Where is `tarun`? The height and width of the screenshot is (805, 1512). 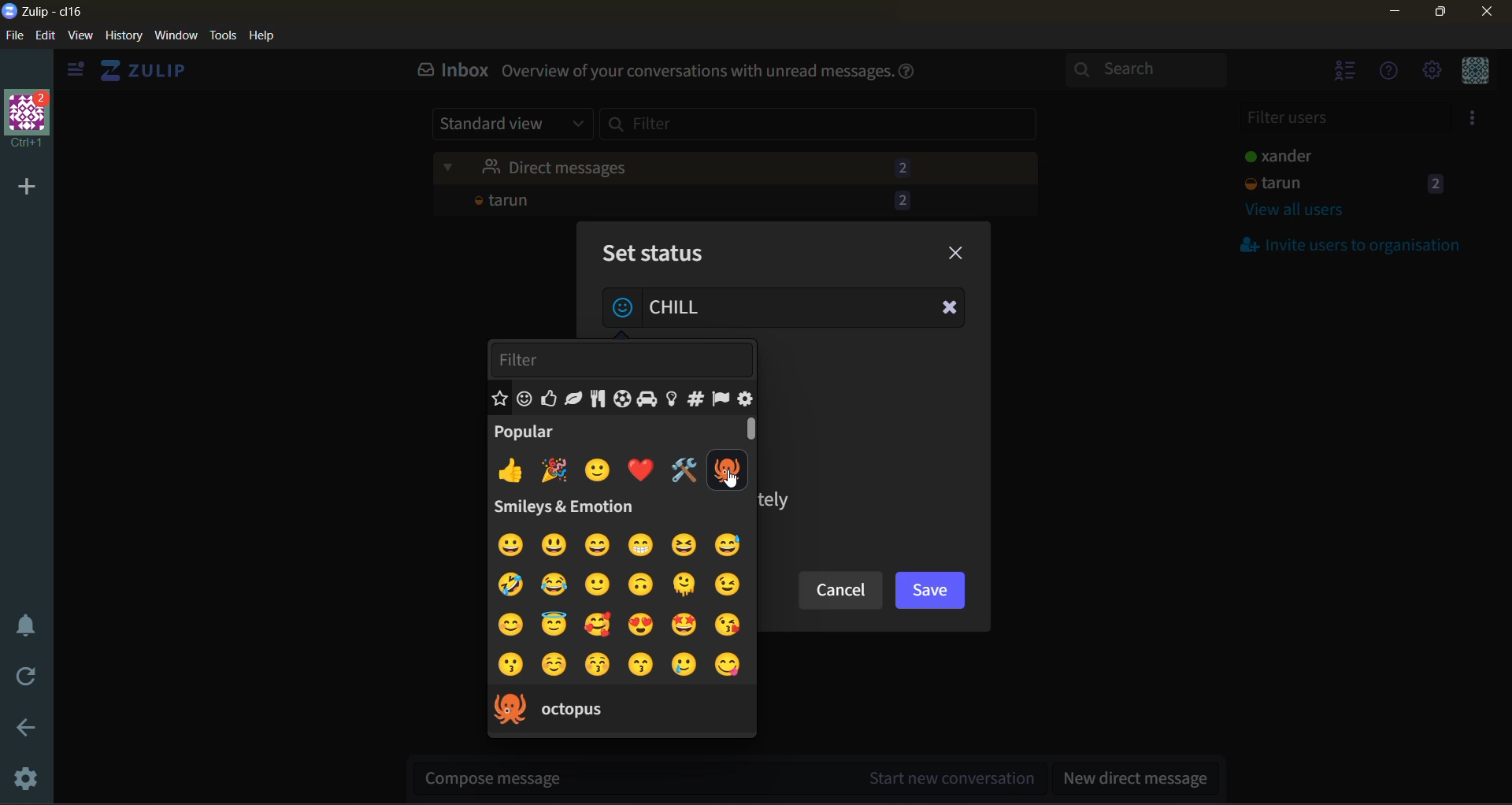 tarun is located at coordinates (1348, 186).